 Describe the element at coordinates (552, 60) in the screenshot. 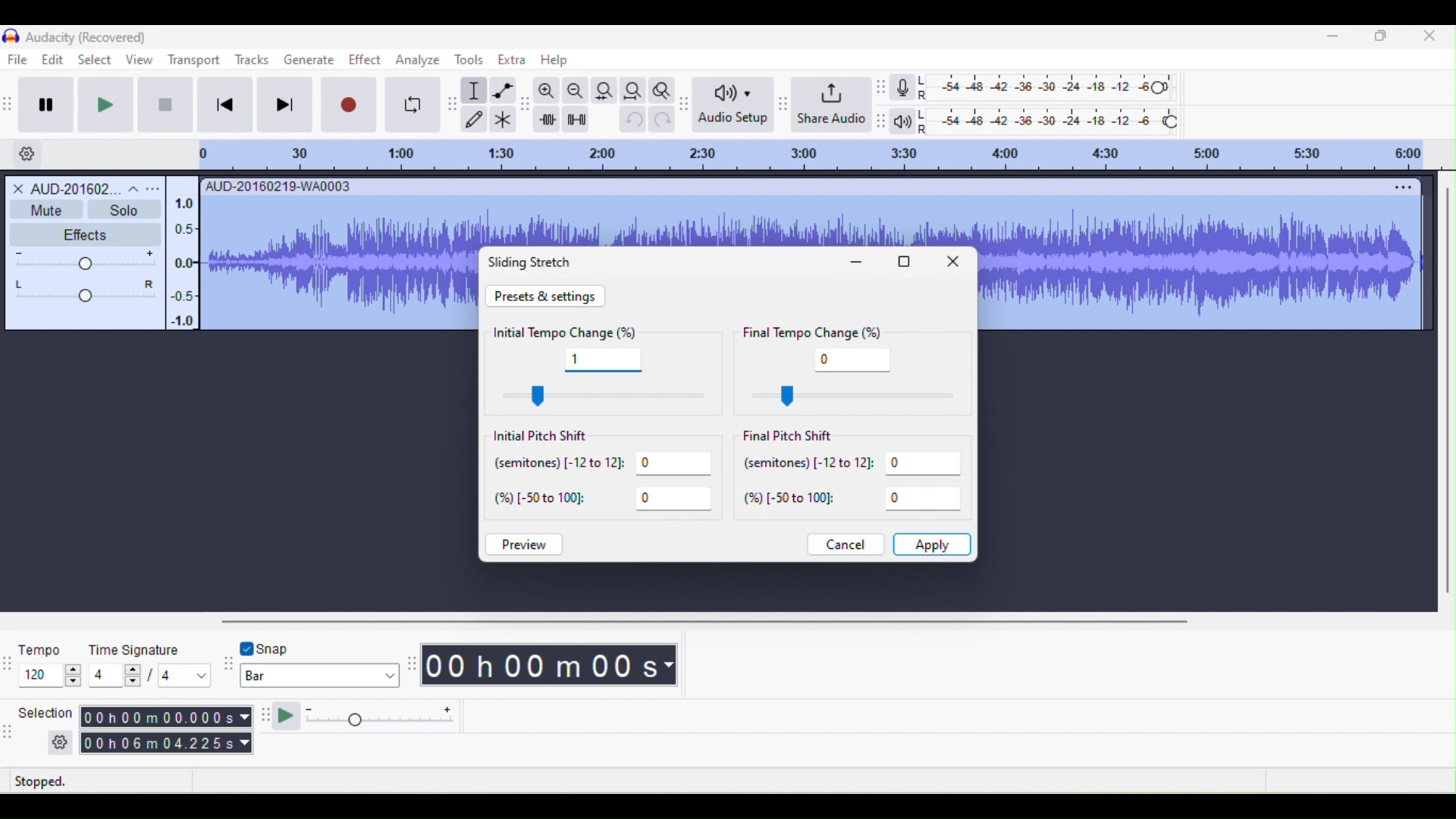

I see `help` at that location.